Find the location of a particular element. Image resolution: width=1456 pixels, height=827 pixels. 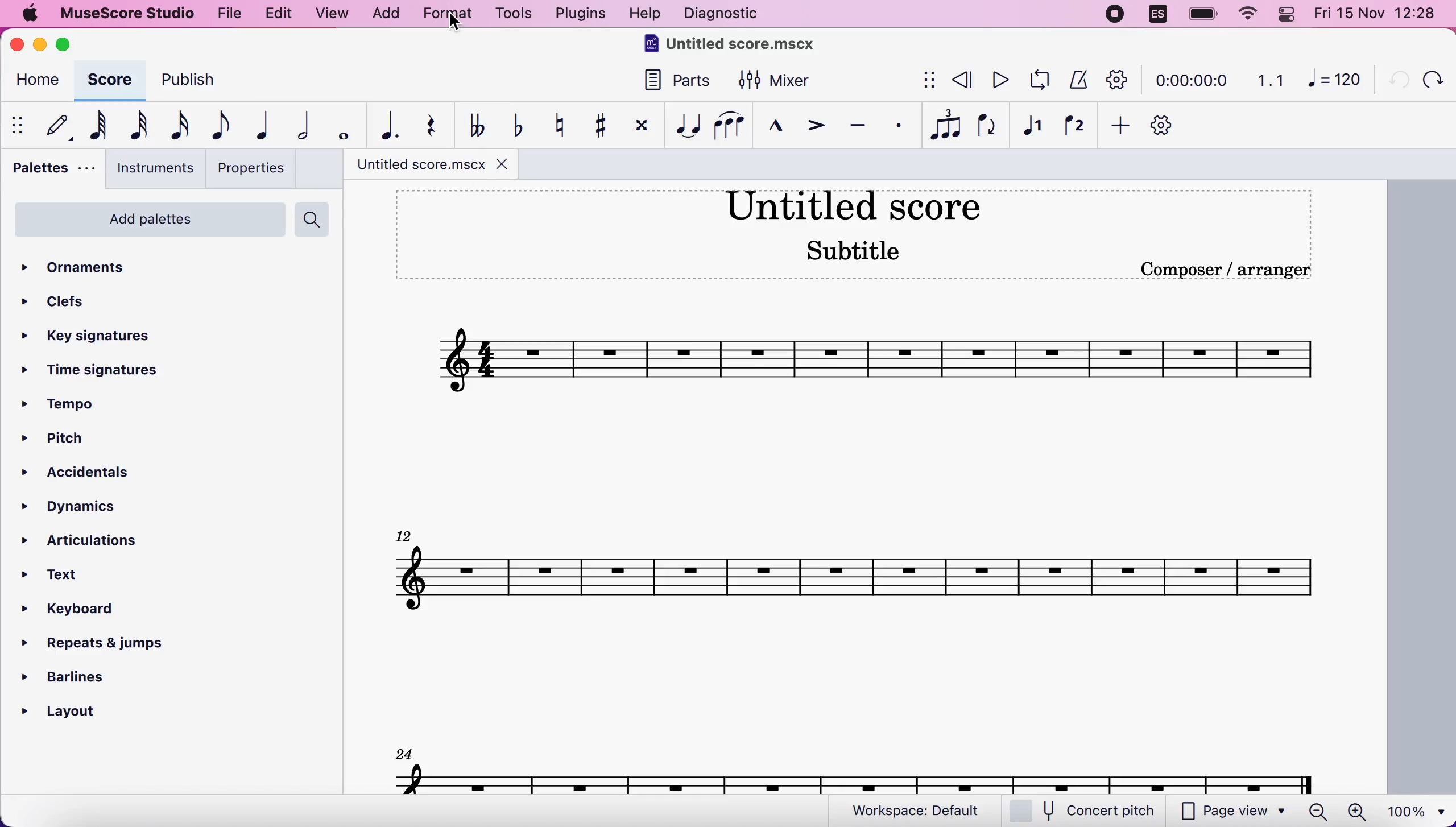

1.1 is located at coordinates (1271, 80).